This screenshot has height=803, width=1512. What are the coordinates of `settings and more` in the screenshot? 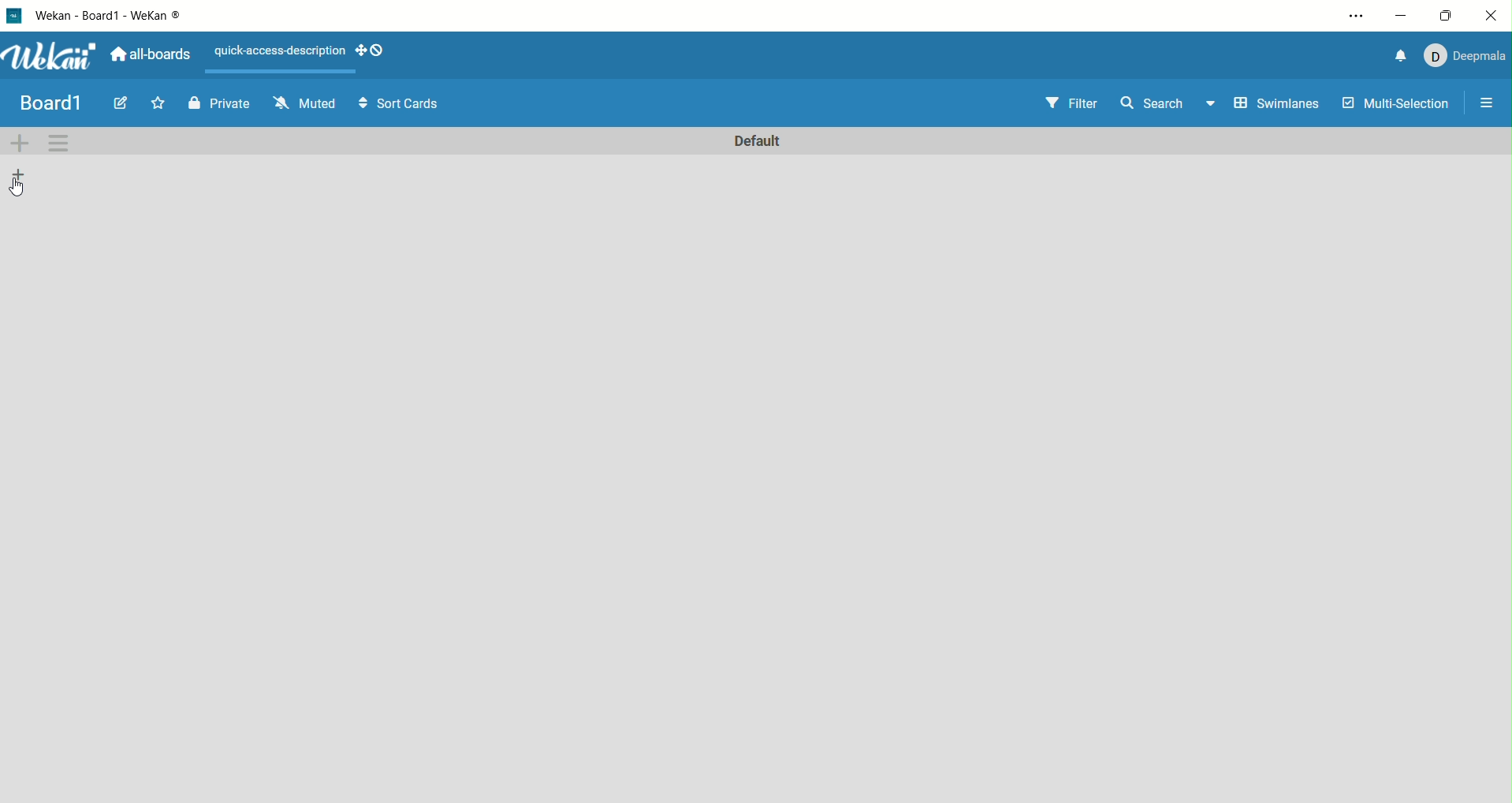 It's located at (1356, 16).